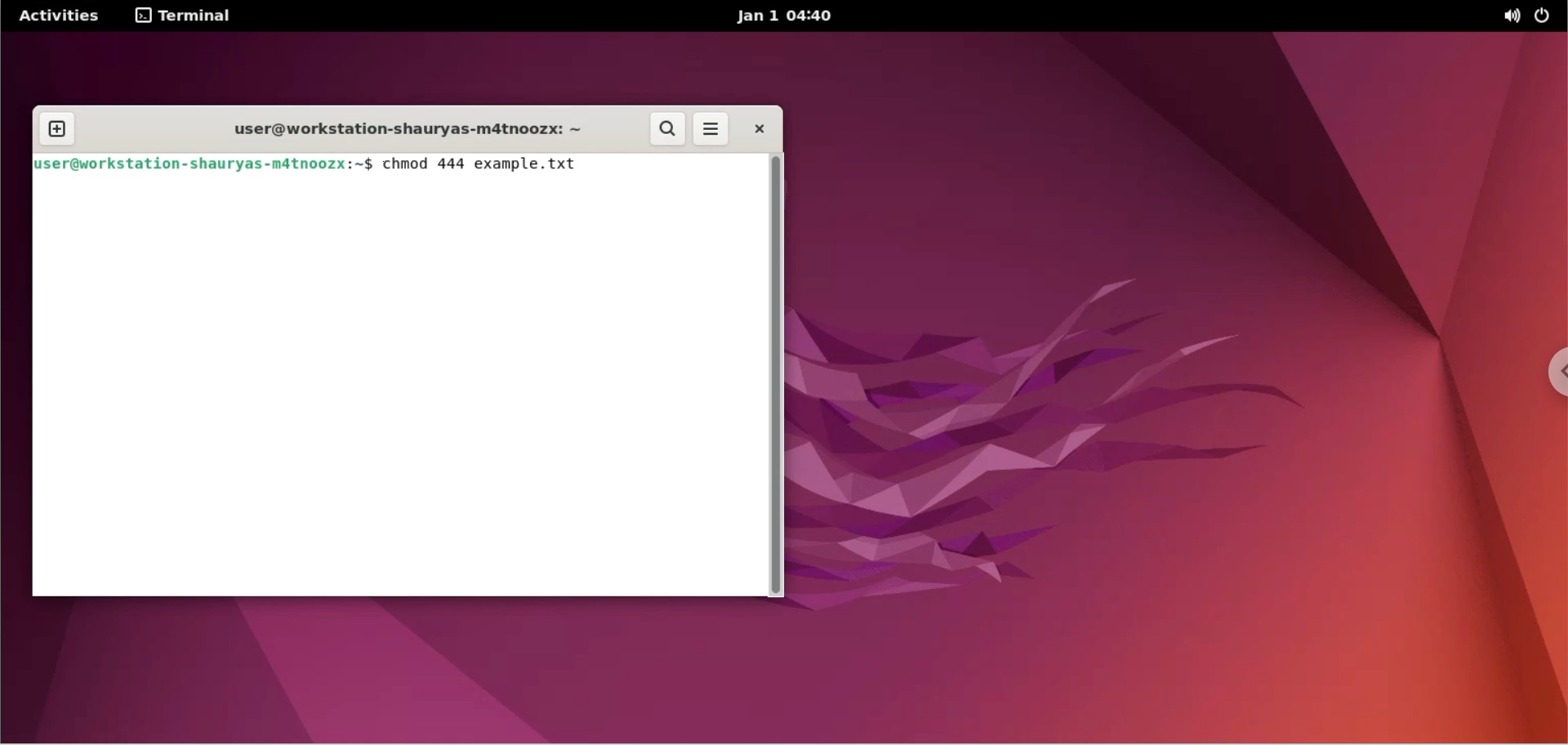 The image size is (1568, 745). Describe the element at coordinates (56, 18) in the screenshot. I see `Activities` at that location.